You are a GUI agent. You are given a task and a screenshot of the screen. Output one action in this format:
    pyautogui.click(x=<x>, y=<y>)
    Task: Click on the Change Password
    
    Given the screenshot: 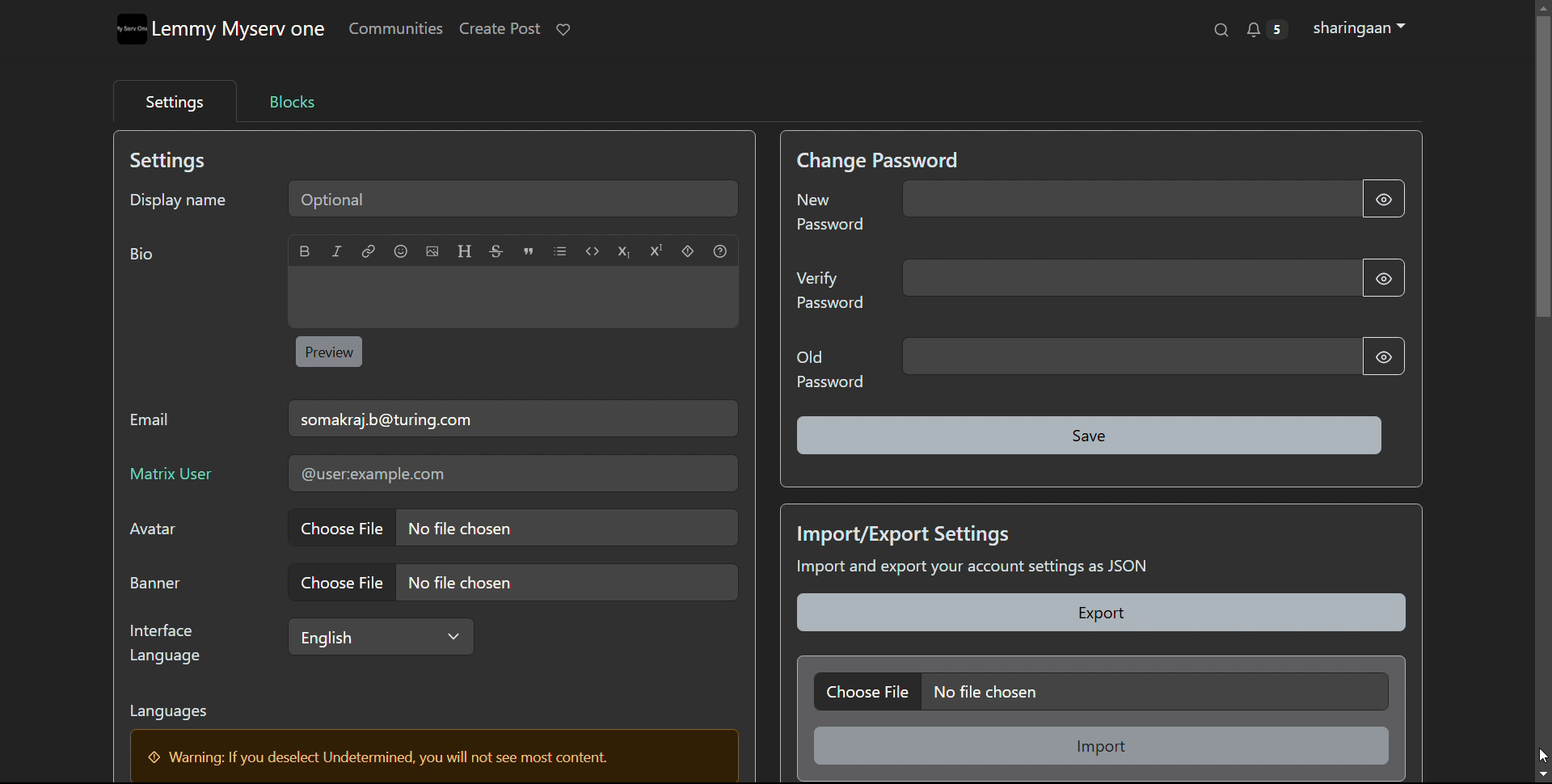 What is the action you would take?
    pyautogui.click(x=879, y=156)
    